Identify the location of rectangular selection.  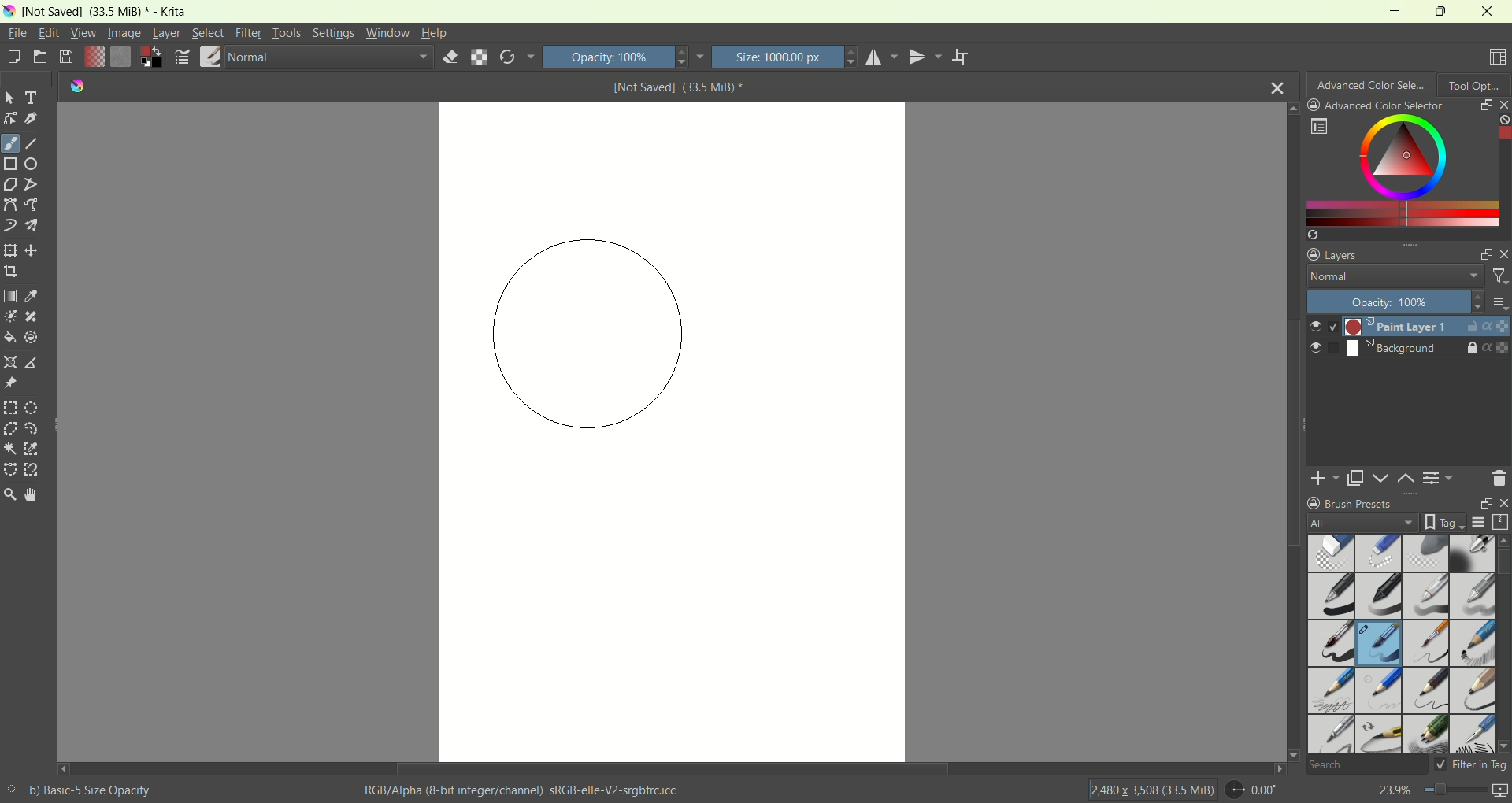
(10, 408).